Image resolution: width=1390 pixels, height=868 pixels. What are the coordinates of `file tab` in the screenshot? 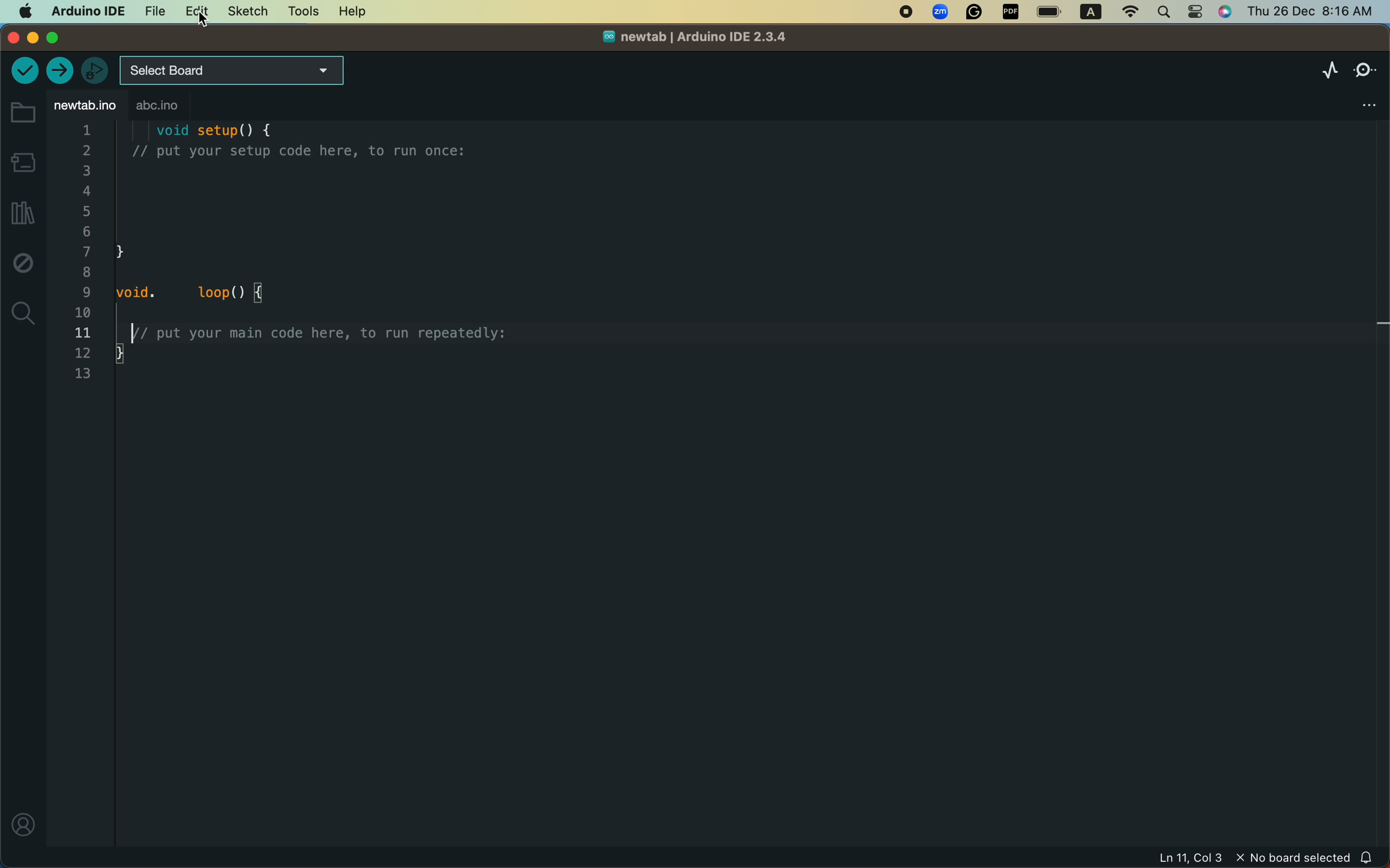 It's located at (84, 106).